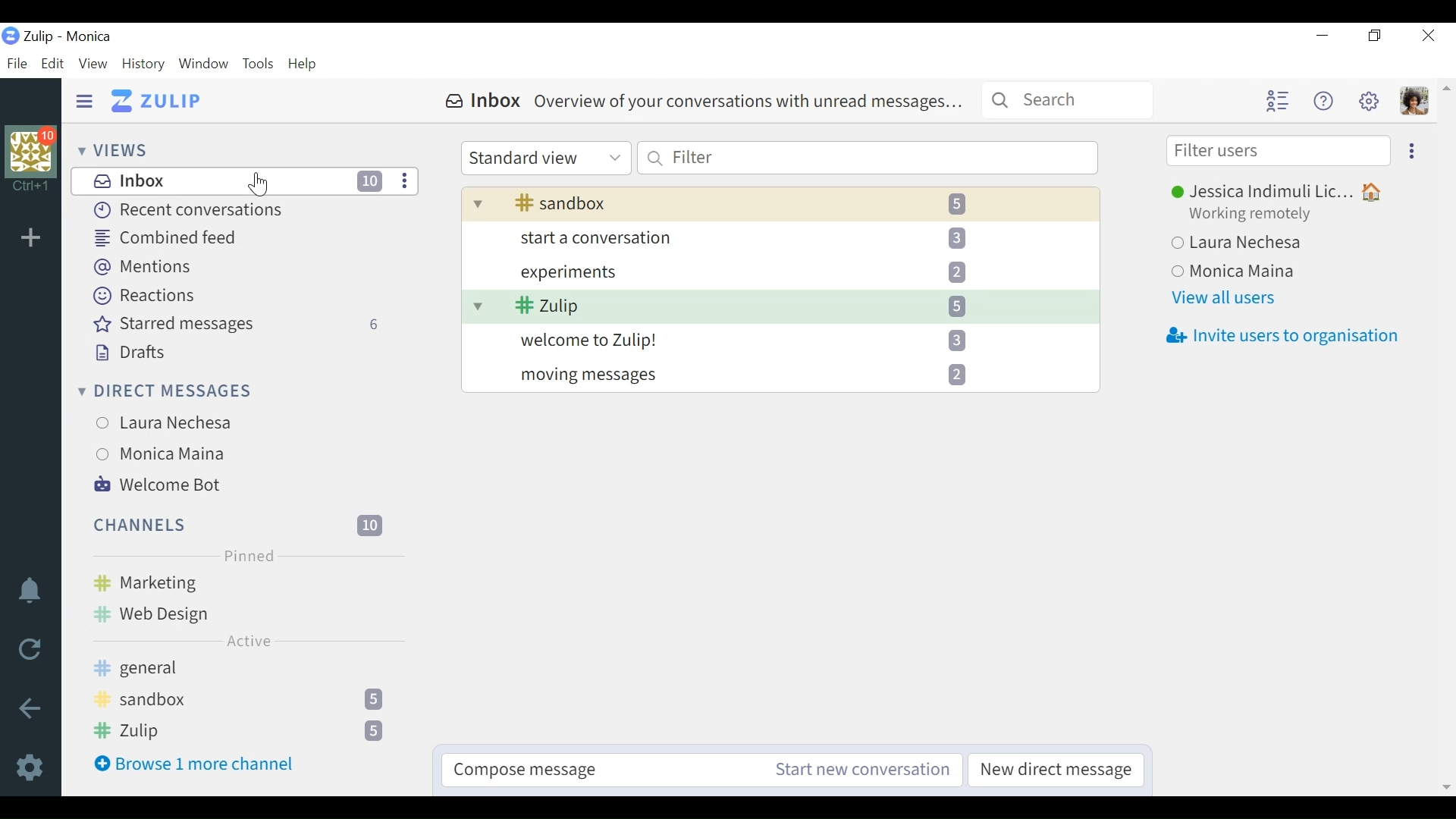  I want to click on Direct messages, so click(168, 391).